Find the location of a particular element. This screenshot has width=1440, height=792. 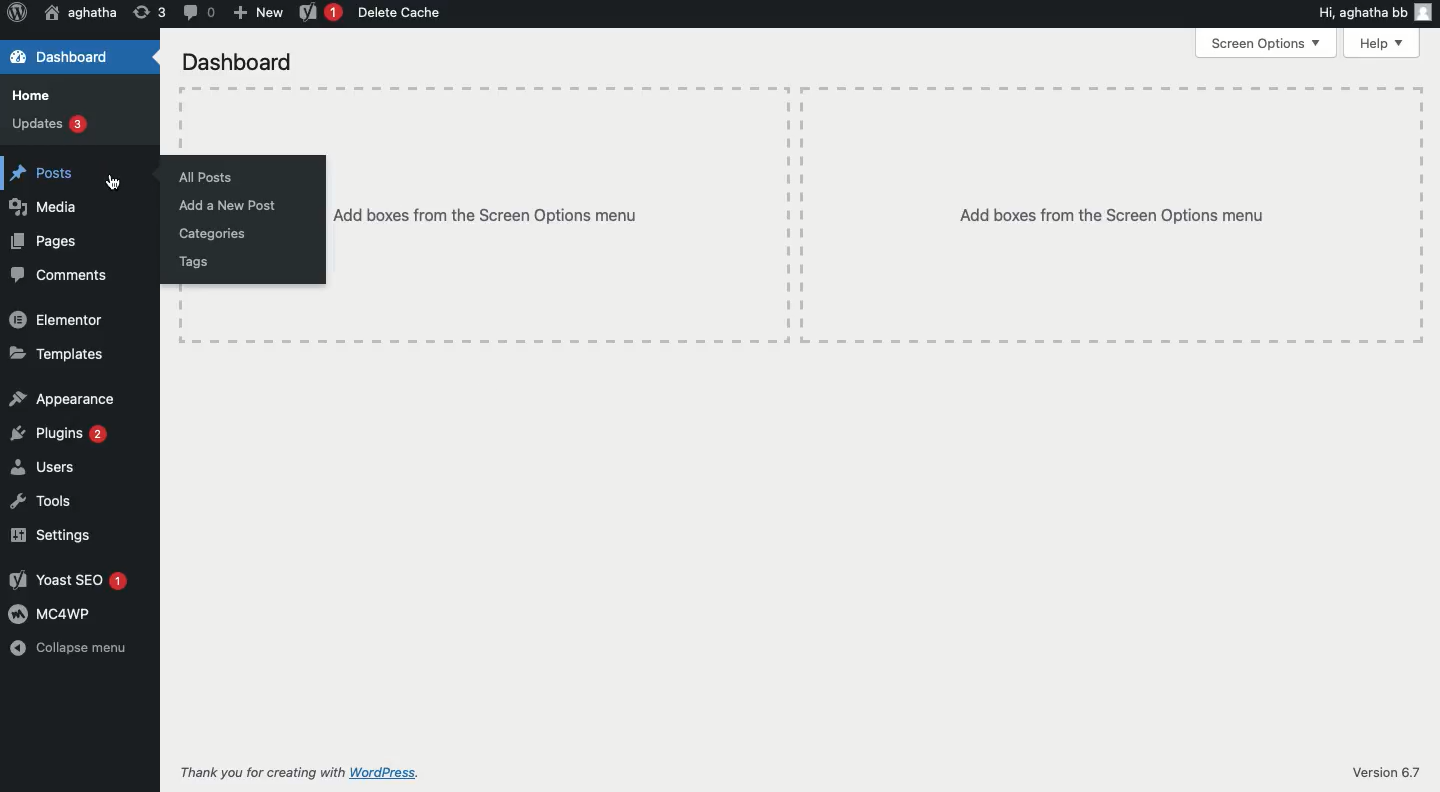

Collapse menu is located at coordinates (70, 650).